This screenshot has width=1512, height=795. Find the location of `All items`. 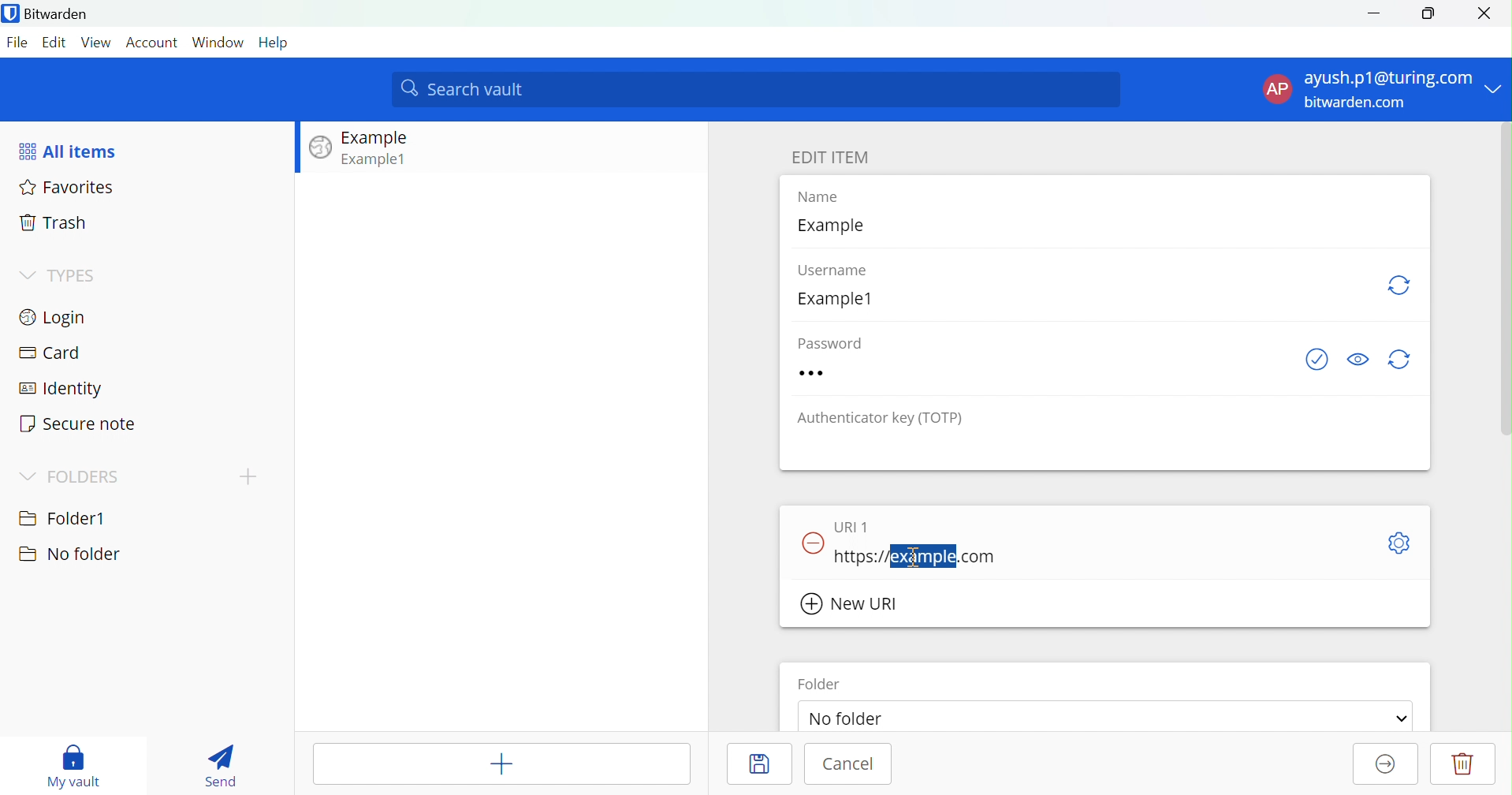

All items is located at coordinates (70, 151).